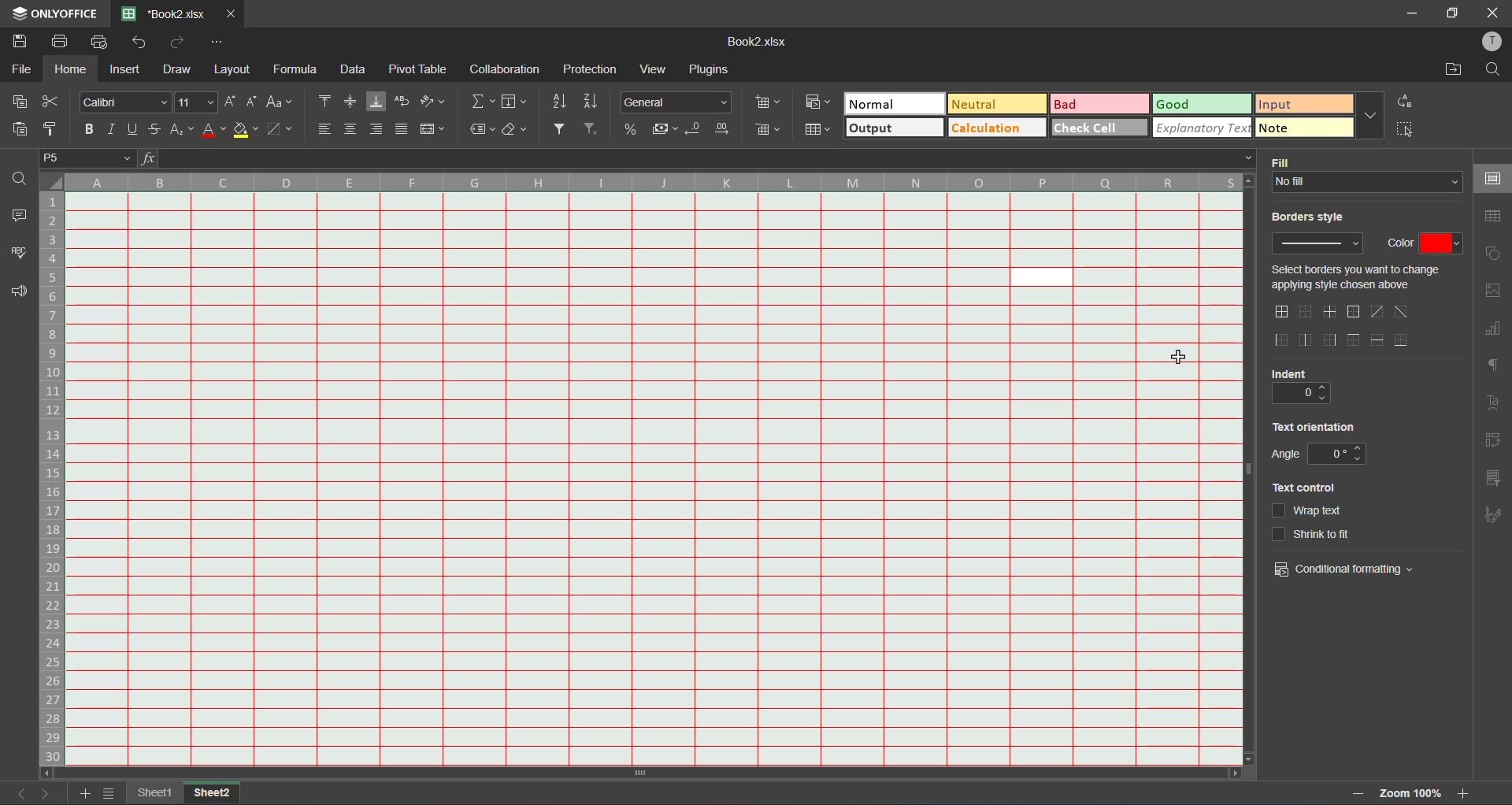 This screenshot has width=1512, height=805. Describe the element at coordinates (1464, 793) in the screenshot. I see `zoom in` at that location.